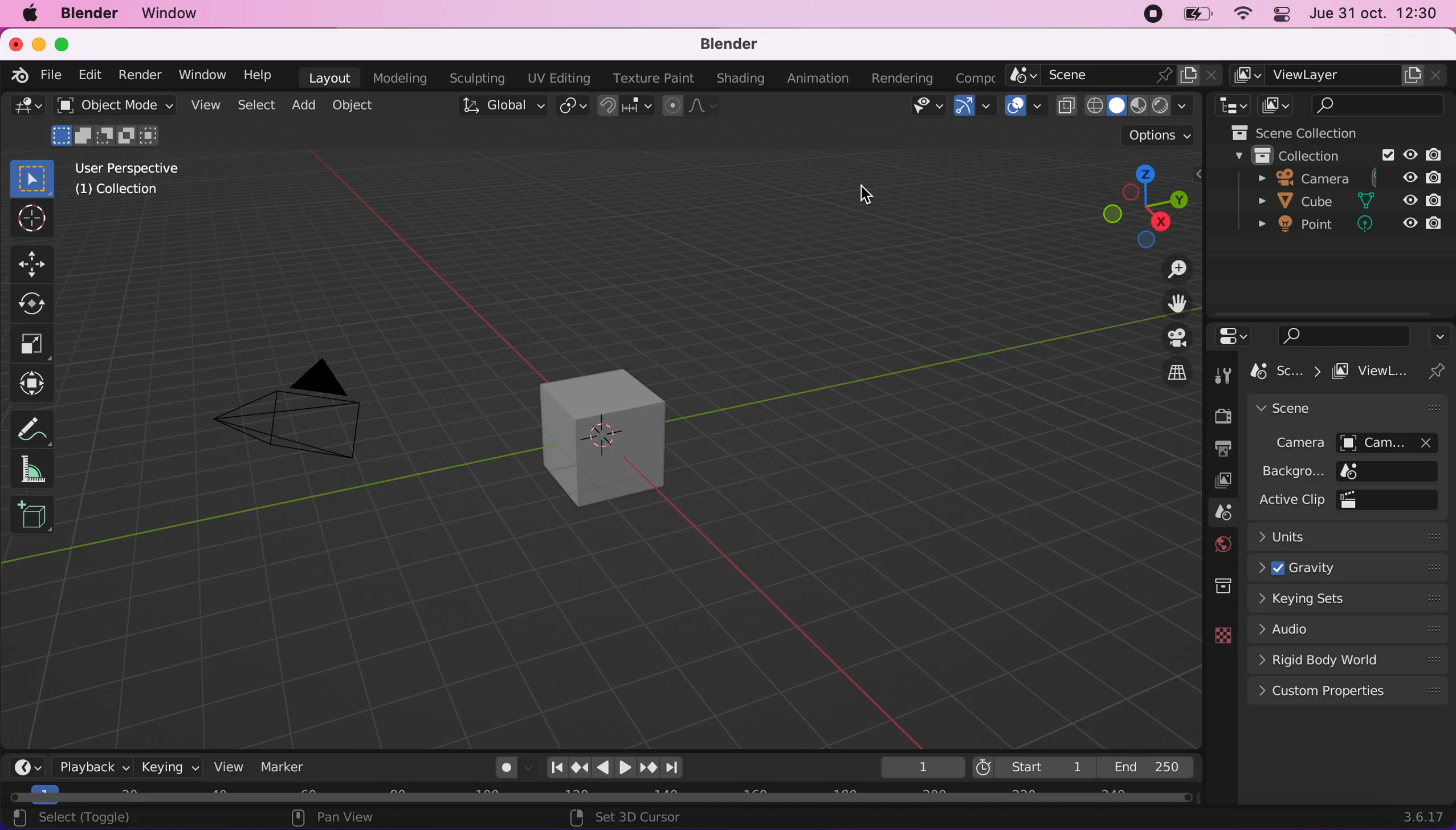 Image resolution: width=1456 pixels, height=830 pixels. I want to click on overlays, so click(1026, 109).